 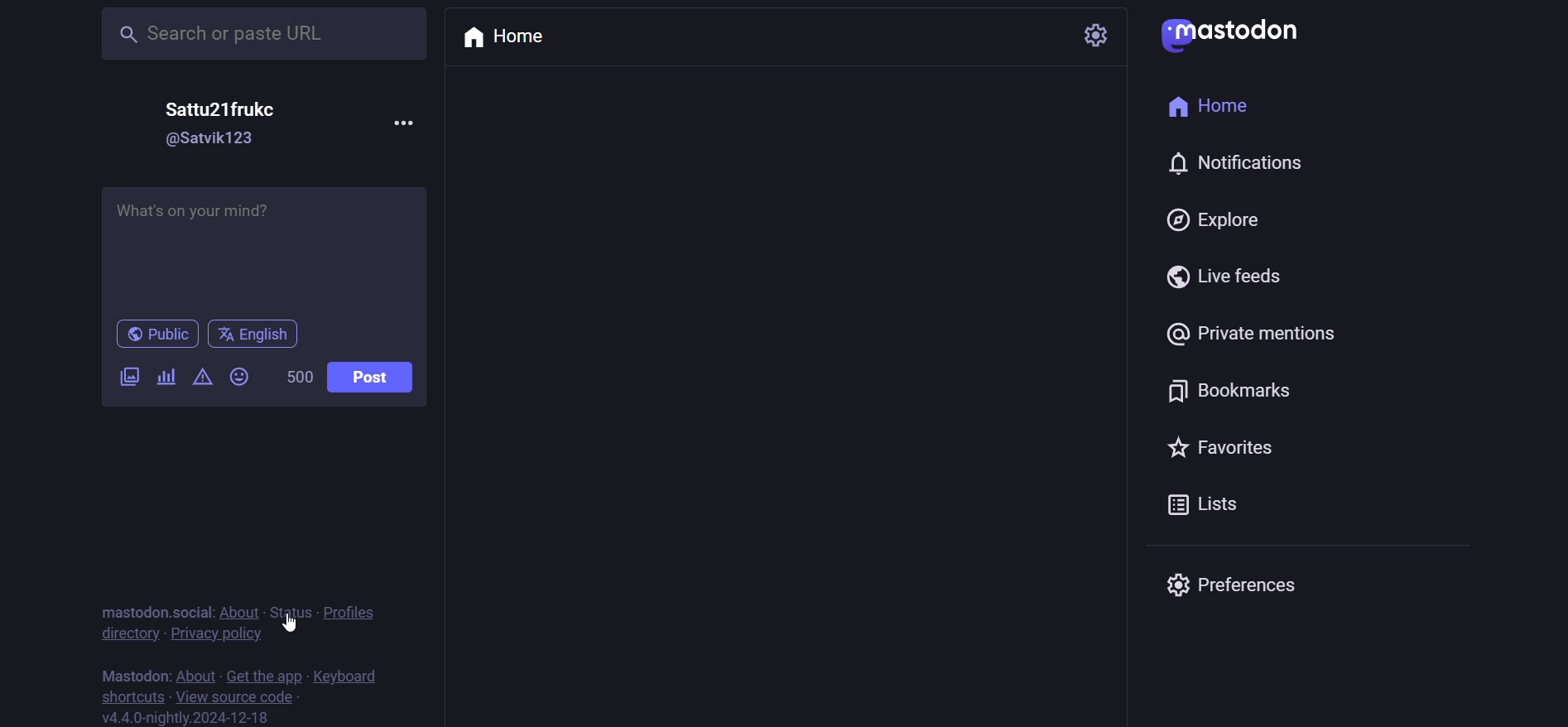 What do you see at coordinates (1191, 508) in the screenshot?
I see `list` at bounding box center [1191, 508].